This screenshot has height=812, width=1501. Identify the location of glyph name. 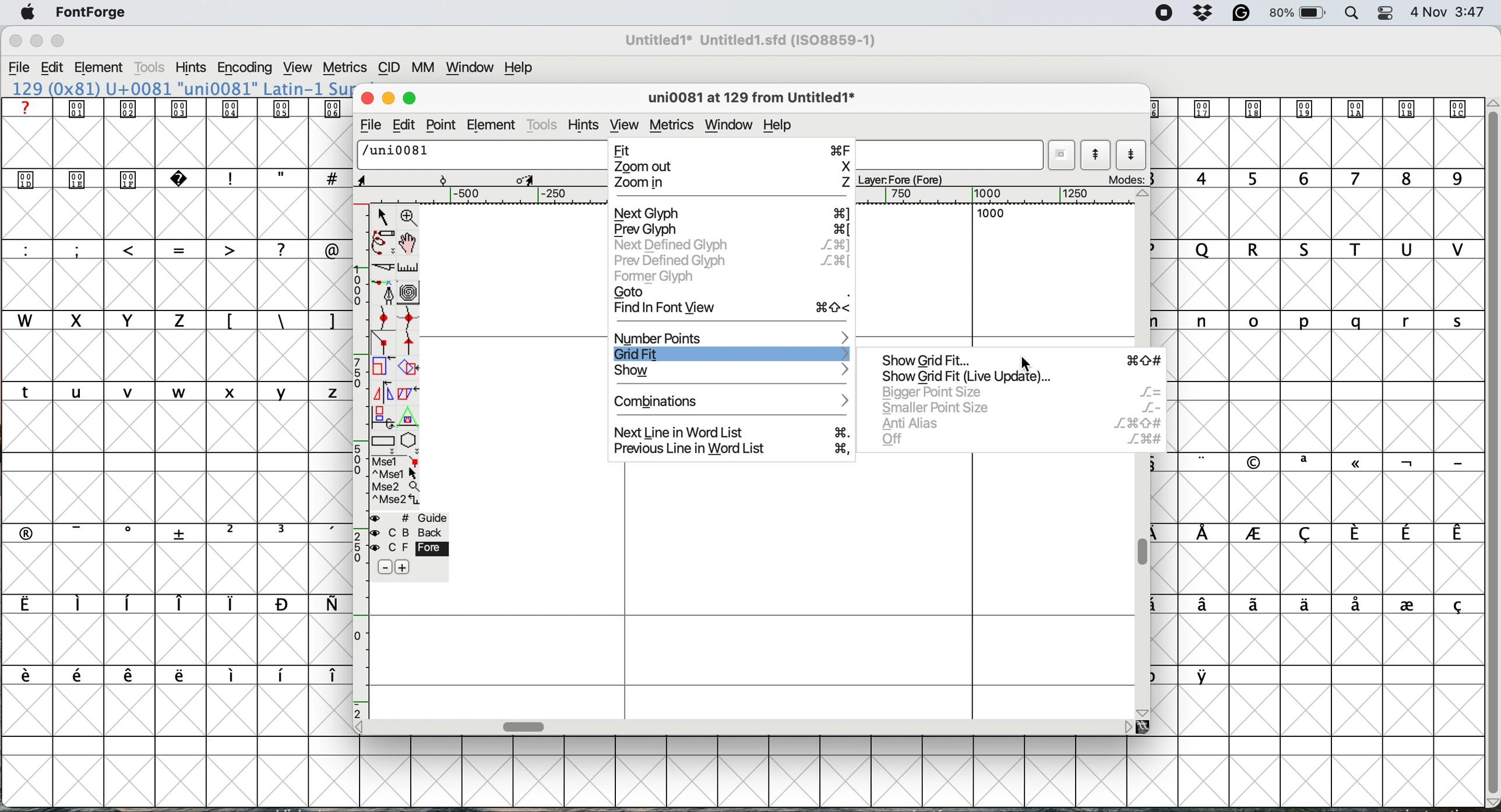
(747, 98).